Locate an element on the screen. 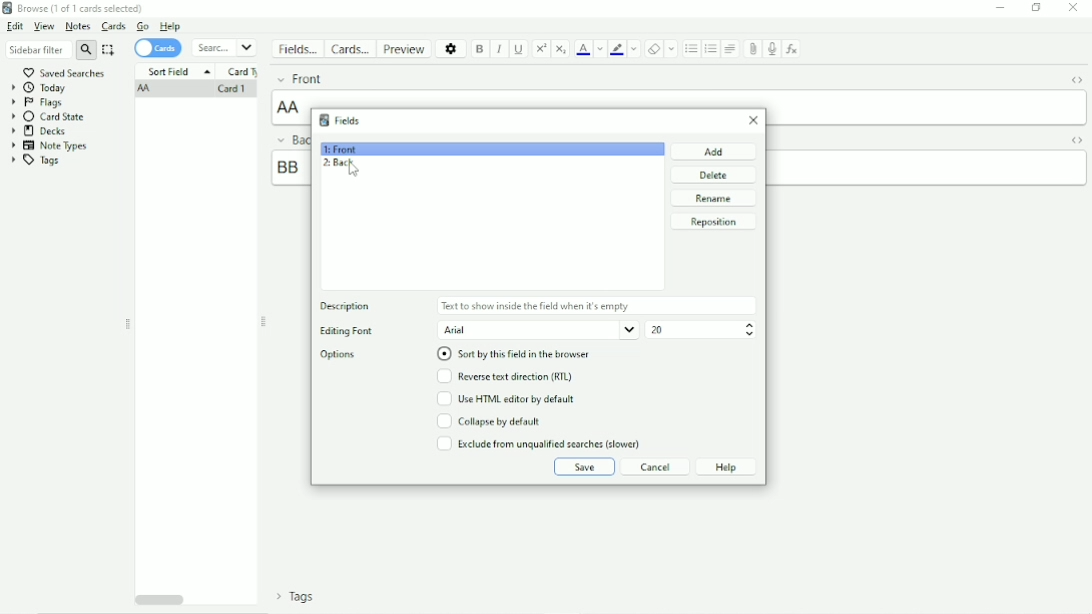 This screenshot has height=614, width=1092. Superscript is located at coordinates (541, 49).